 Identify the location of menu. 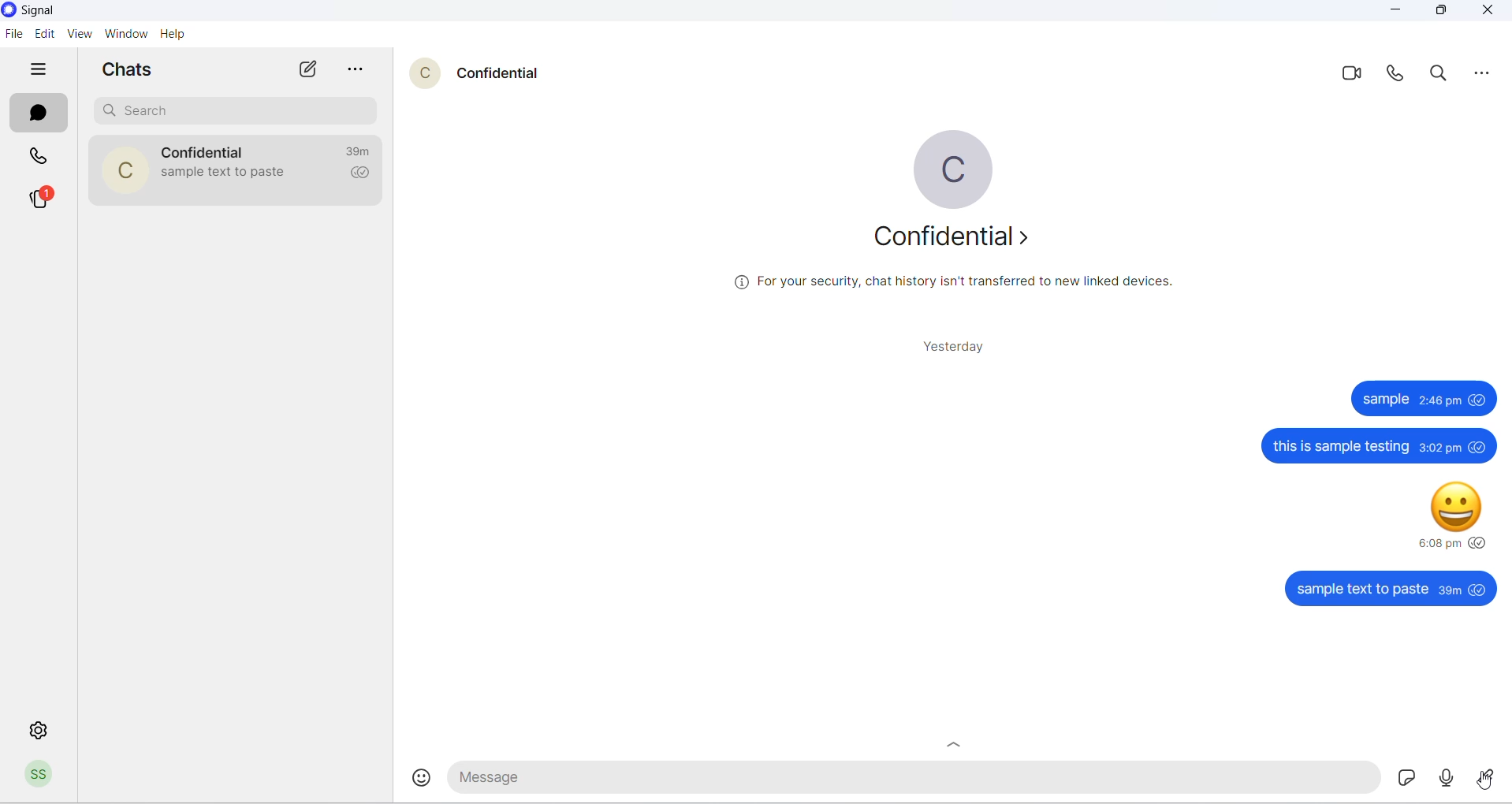
(1484, 75).